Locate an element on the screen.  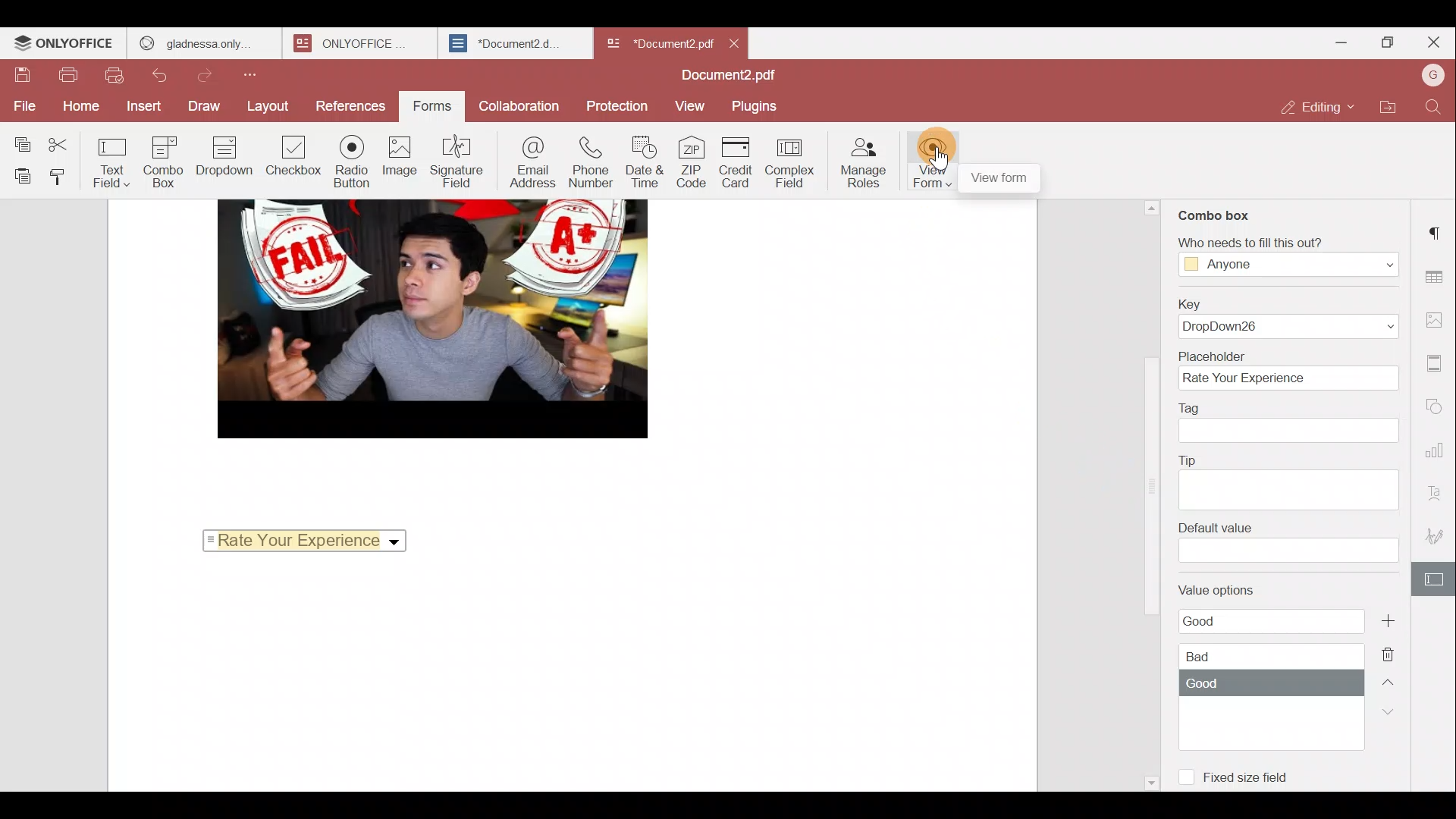
Maximize is located at coordinates (1383, 44).